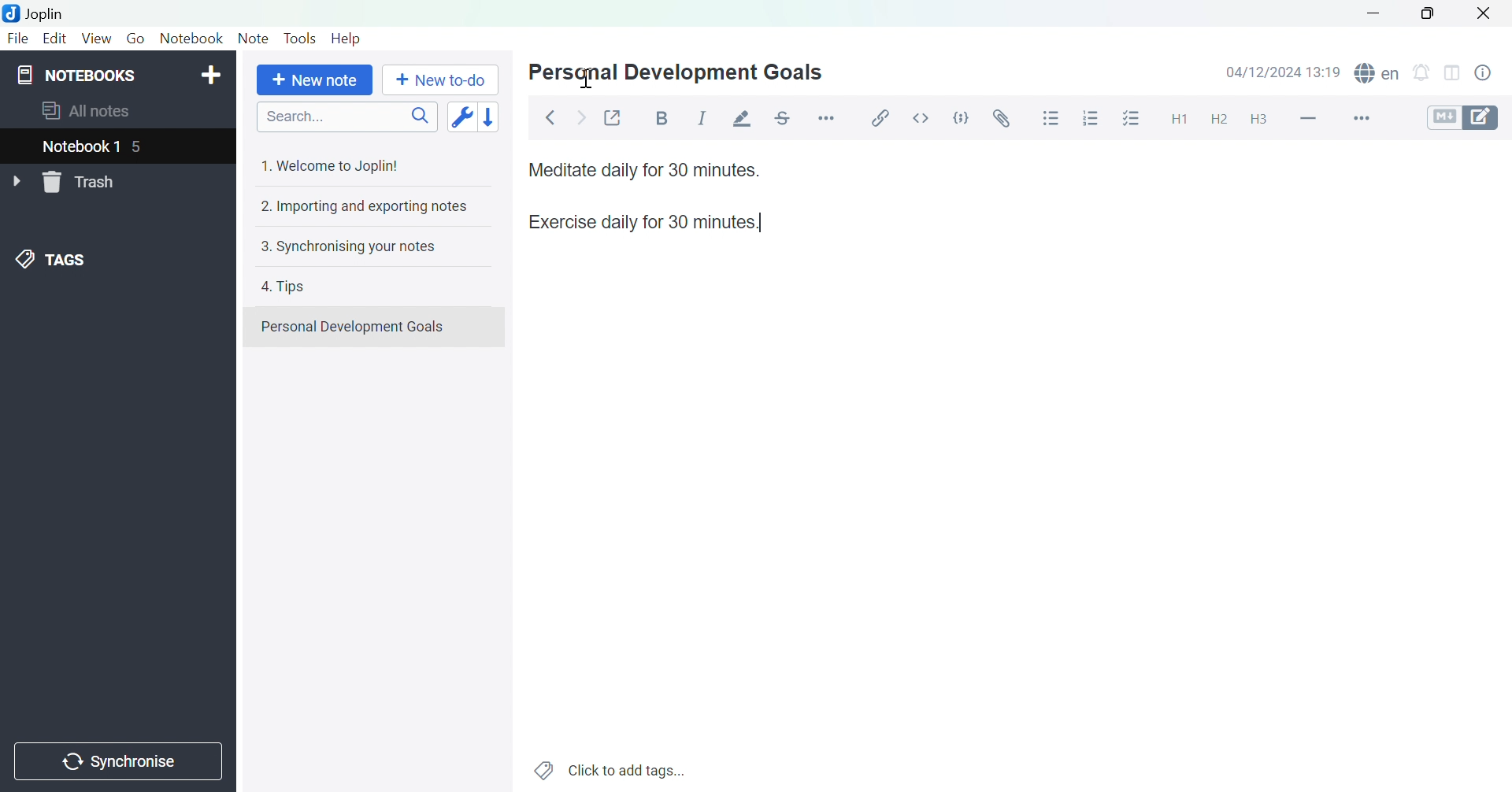 Image resolution: width=1512 pixels, height=792 pixels. Describe the element at coordinates (580, 116) in the screenshot. I see `Forward` at that location.